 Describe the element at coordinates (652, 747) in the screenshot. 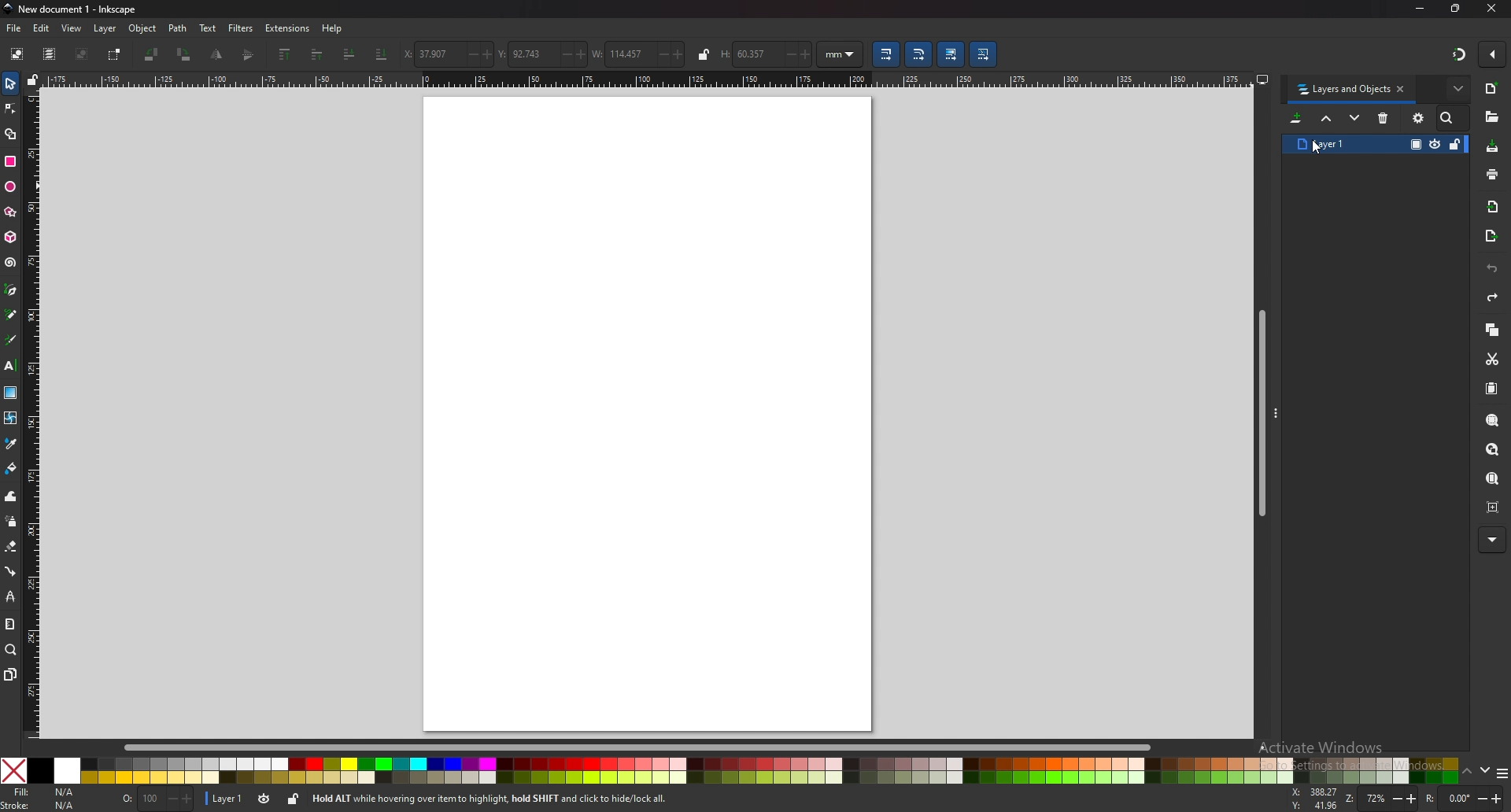

I see `scroll bar` at that location.